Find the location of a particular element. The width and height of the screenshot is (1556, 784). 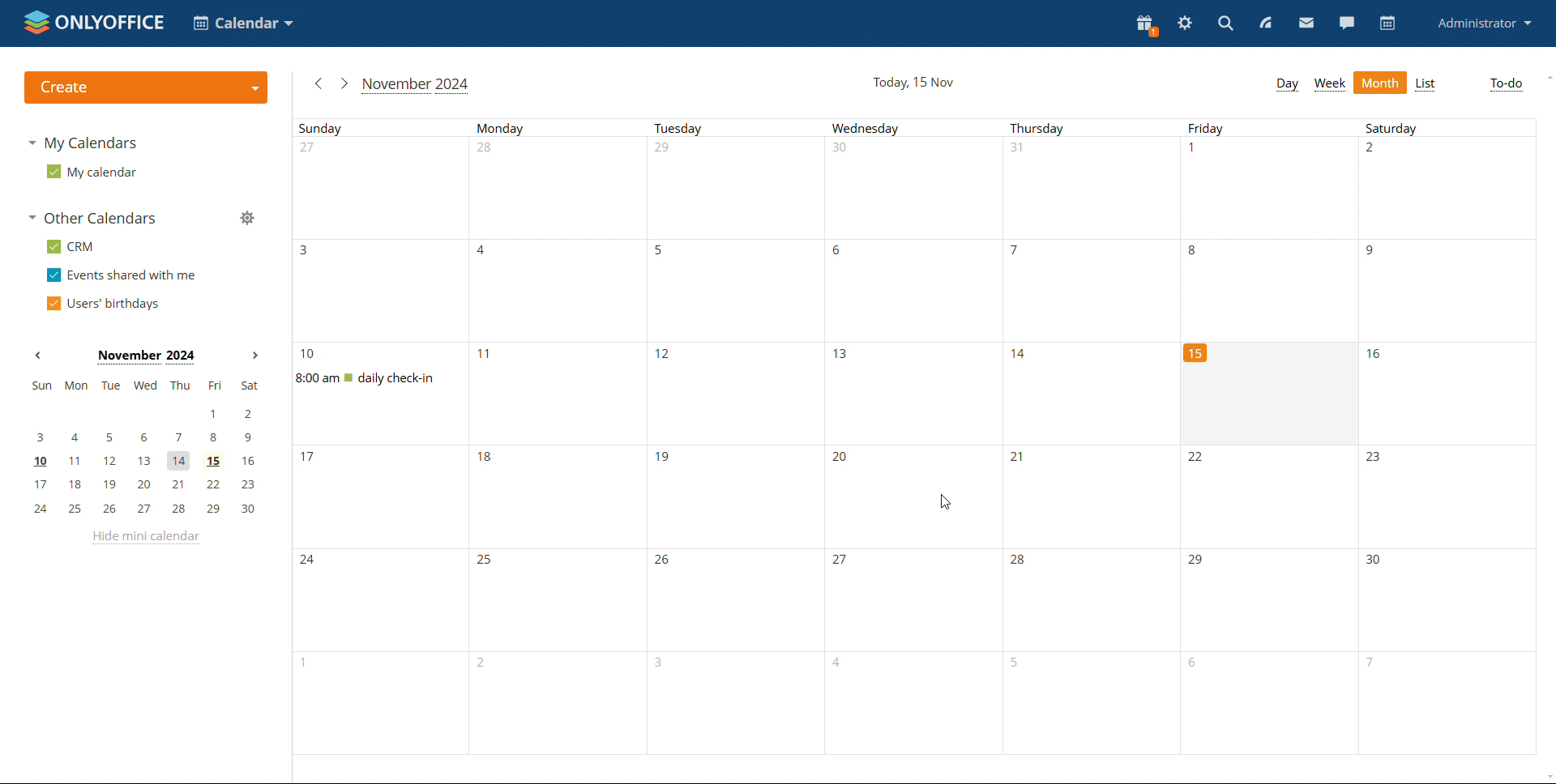

individual day is located at coordinates (387, 128).